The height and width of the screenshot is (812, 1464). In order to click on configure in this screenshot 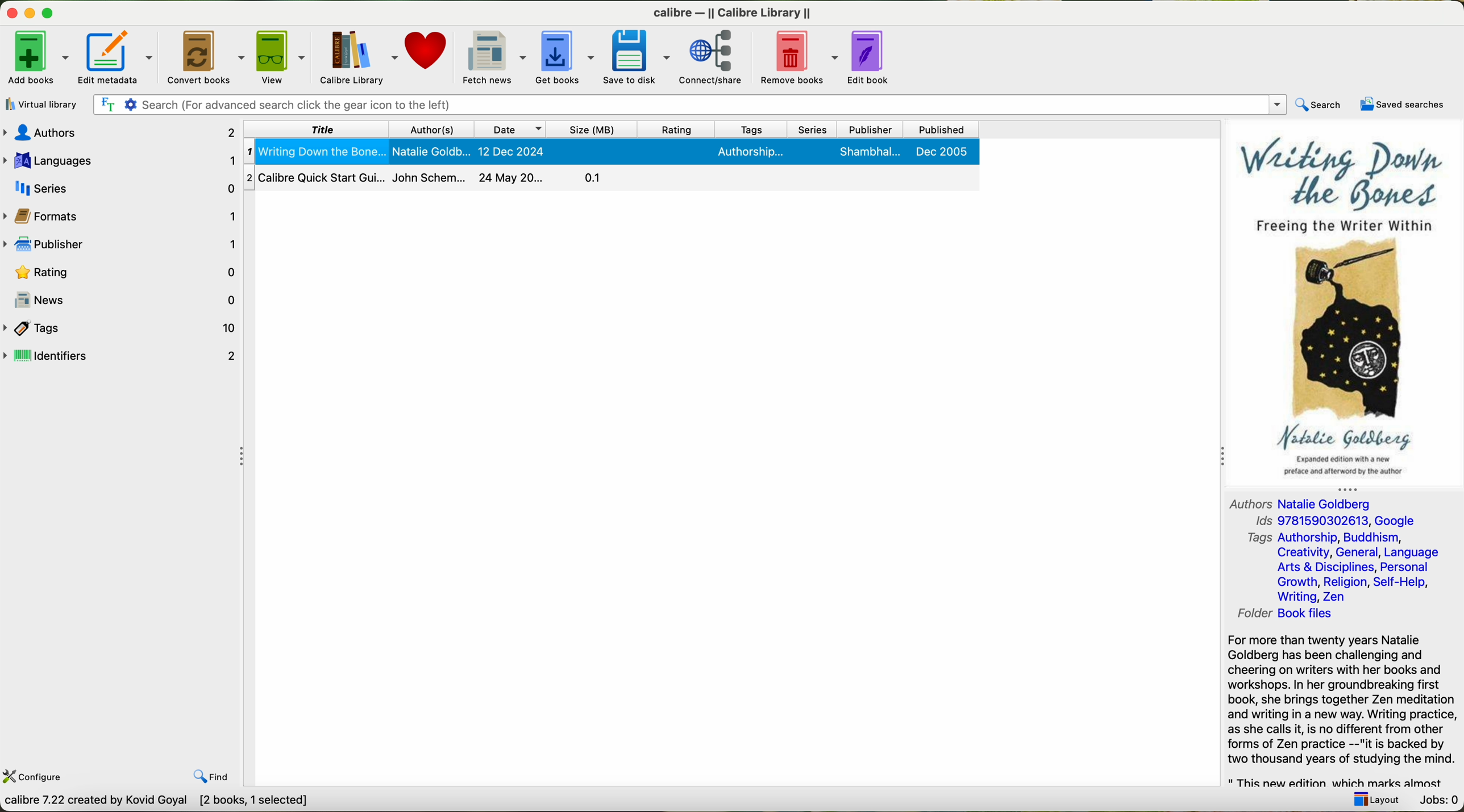, I will do `click(34, 778)`.